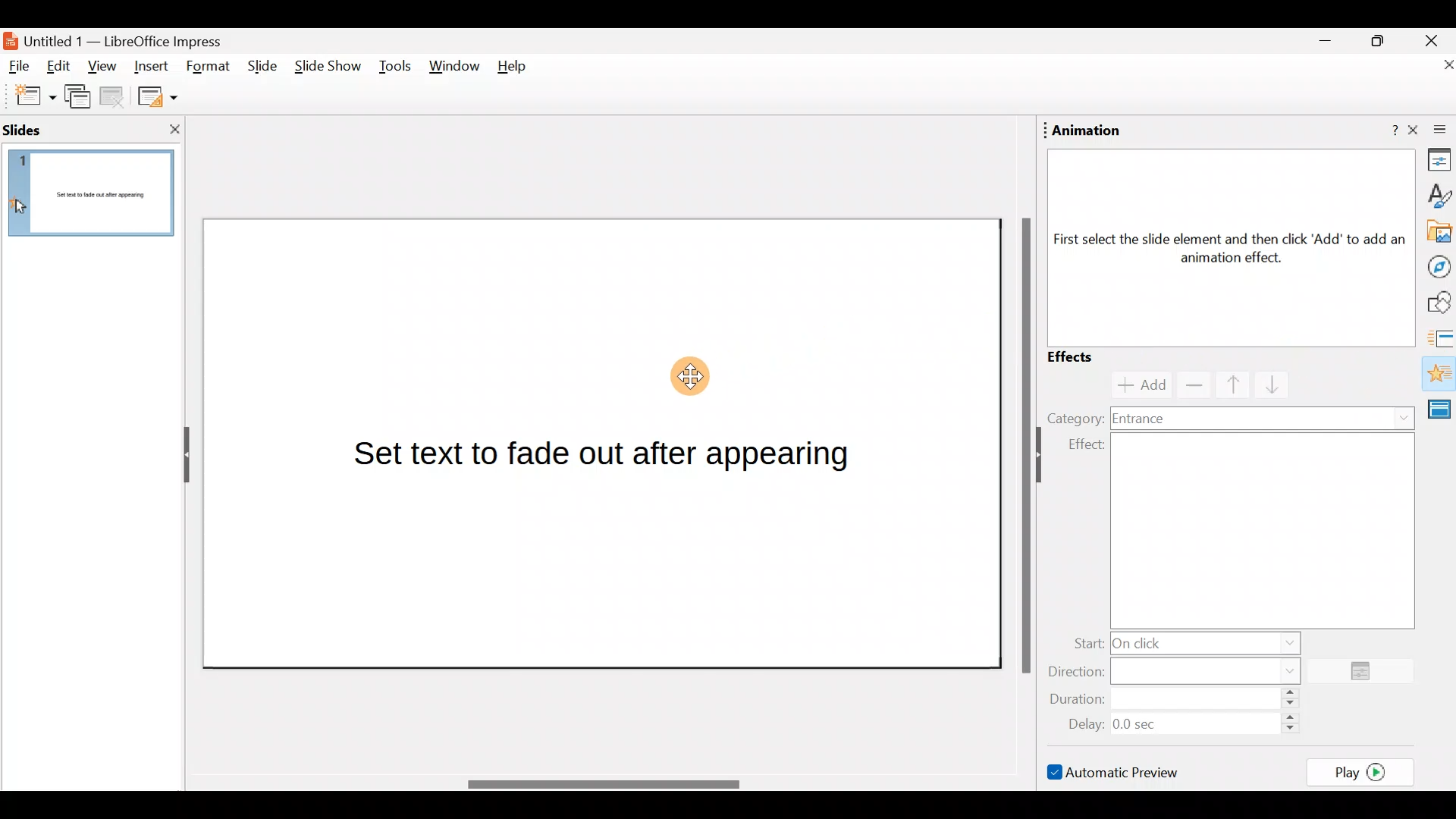 This screenshot has height=819, width=1456. What do you see at coordinates (1367, 672) in the screenshot?
I see `Options` at bounding box center [1367, 672].